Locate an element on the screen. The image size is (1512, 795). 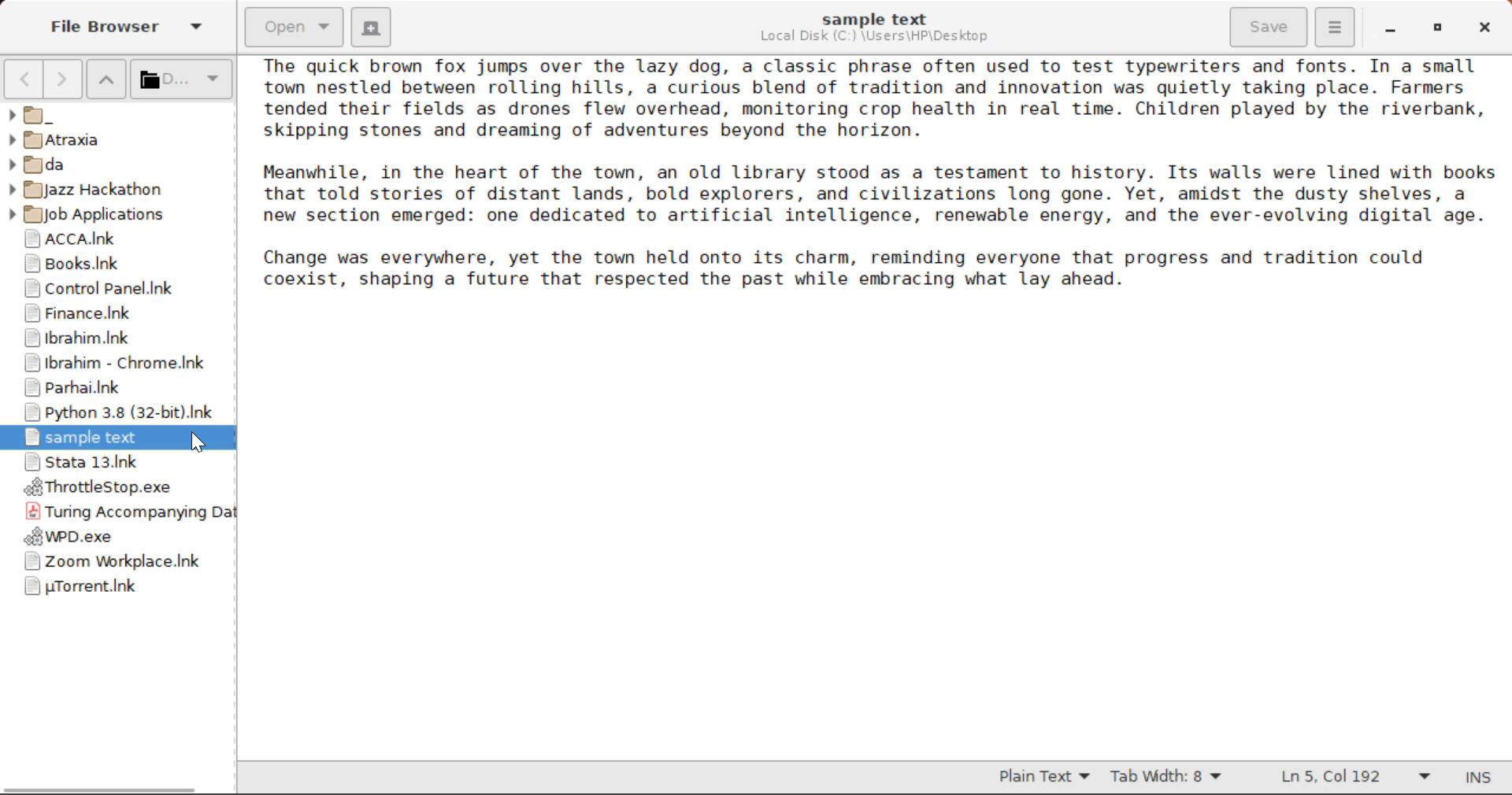
Line & Character Count is located at coordinates (1353, 778).